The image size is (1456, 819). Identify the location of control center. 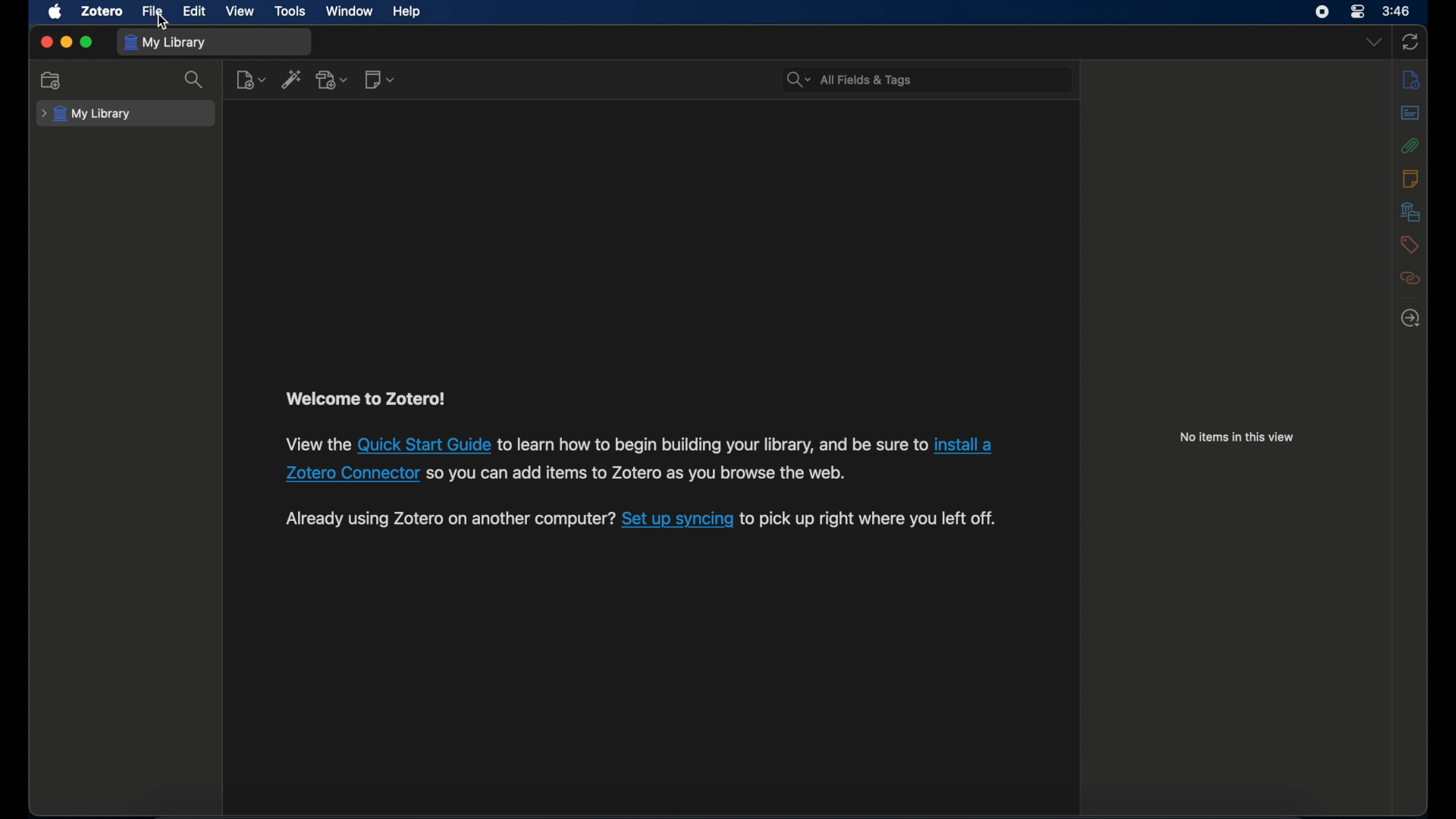
(1357, 12).